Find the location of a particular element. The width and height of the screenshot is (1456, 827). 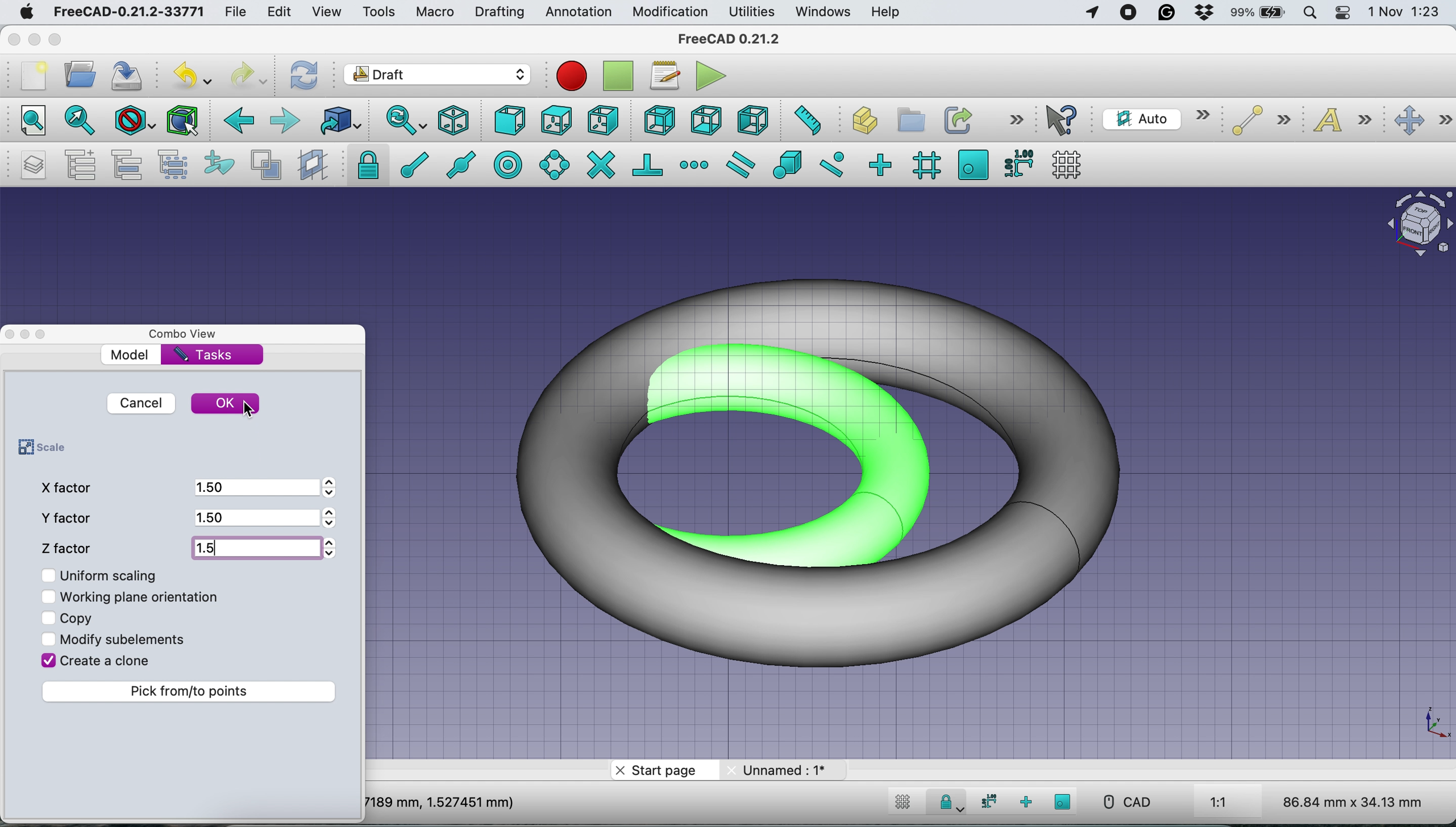

line is located at coordinates (1257, 121).